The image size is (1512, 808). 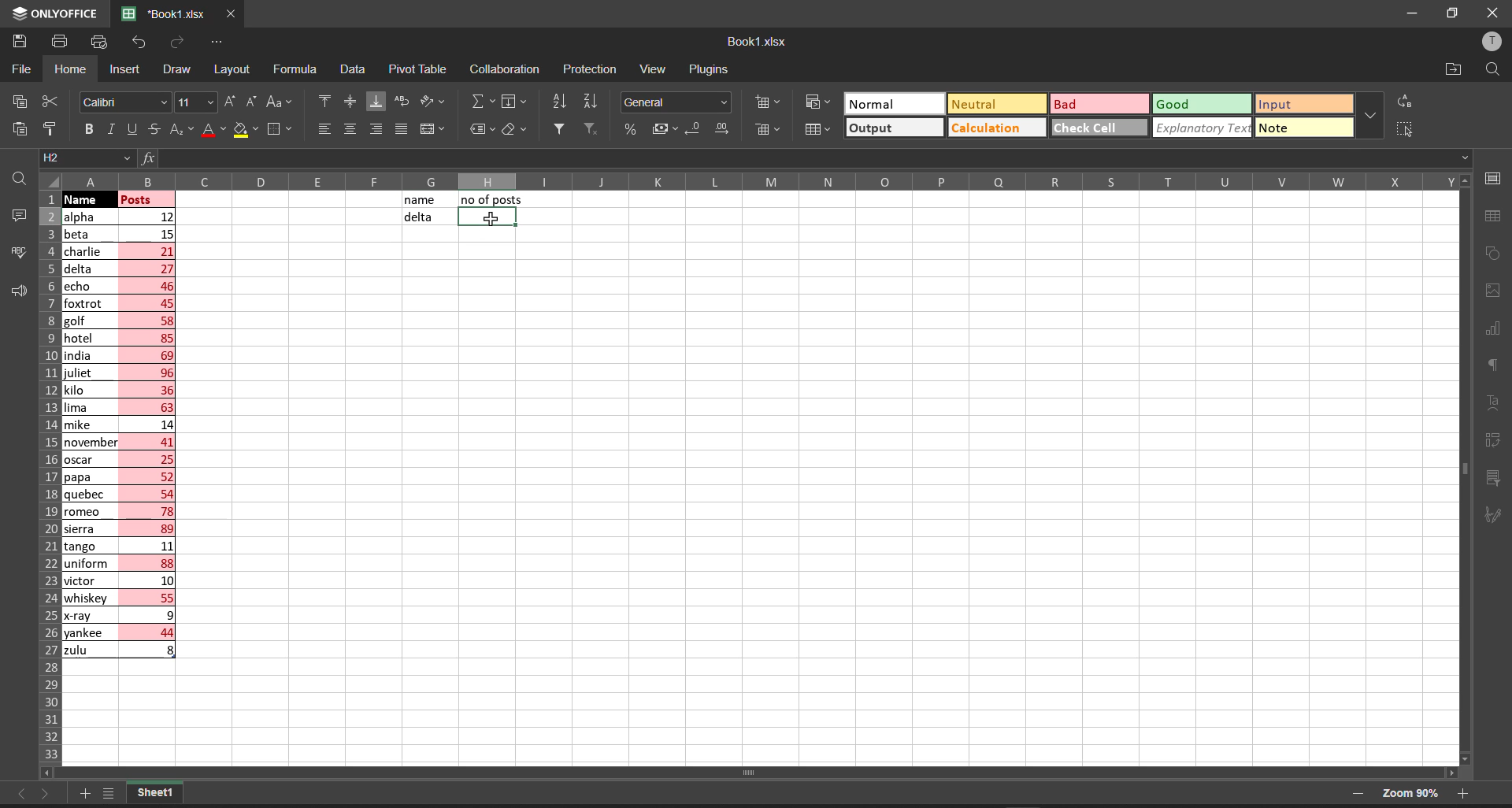 What do you see at coordinates (881, 103) in the screenshot?
I see `Normal` at bounding box center [881, 103].